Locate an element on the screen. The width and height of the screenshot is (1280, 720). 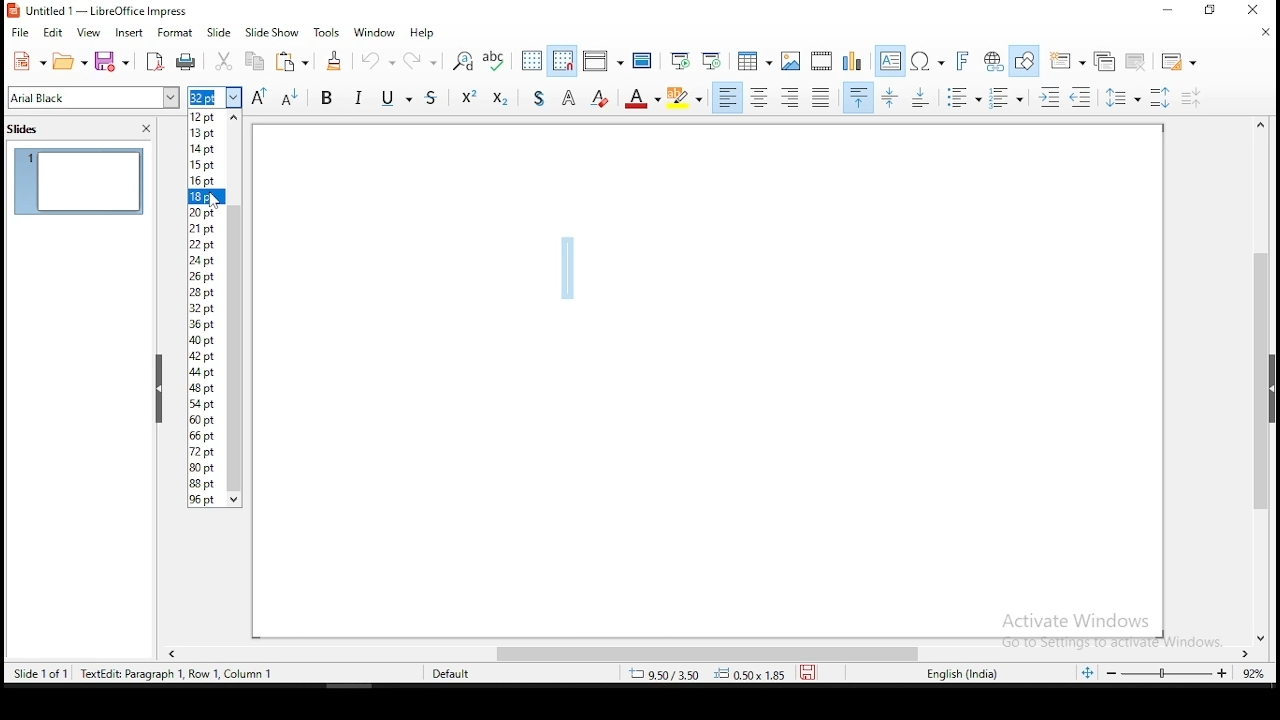
13 is located at coordinates (206, 131).